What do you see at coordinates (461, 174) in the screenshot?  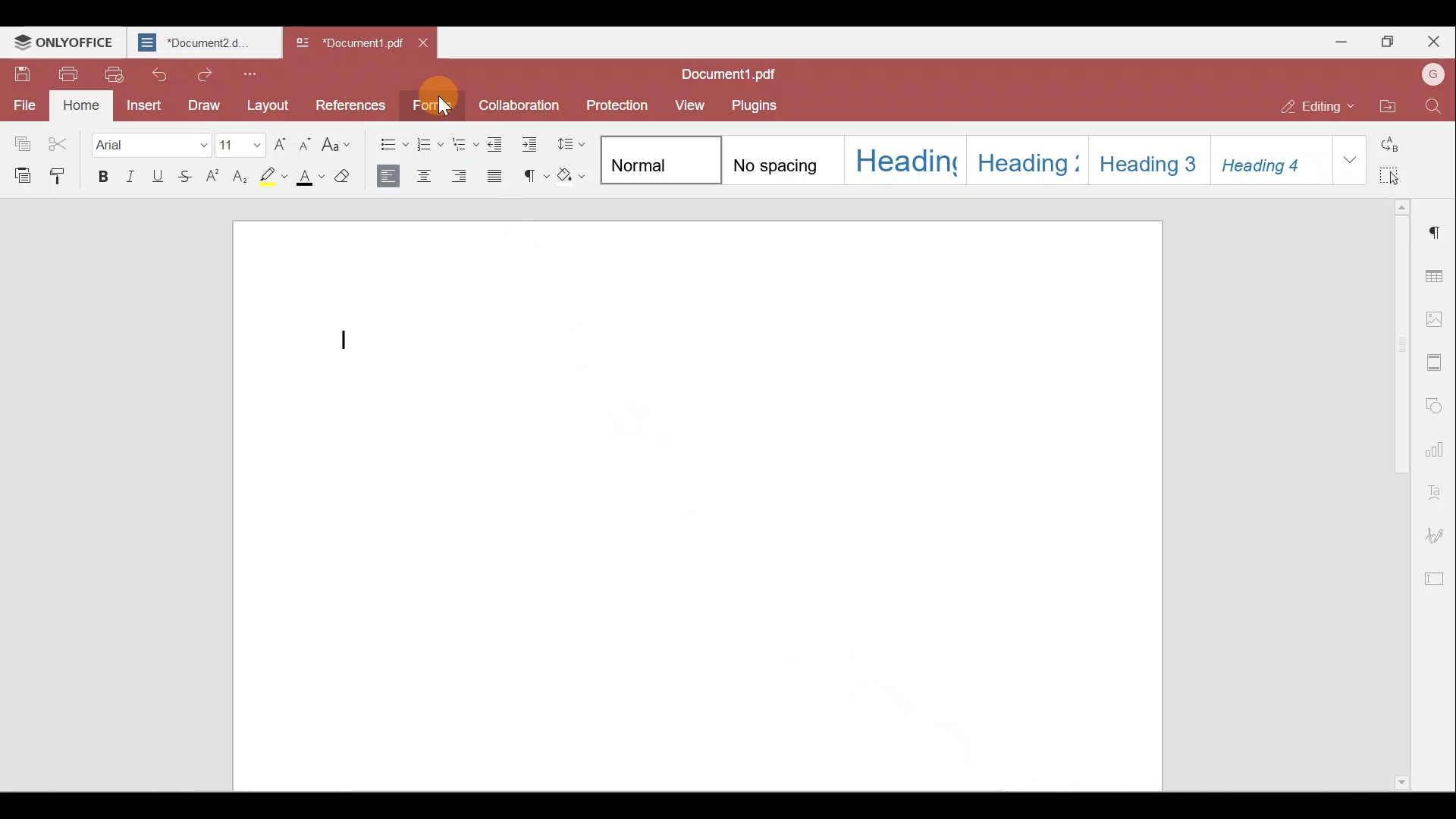 I see `Align right` at bounding box center [461, 174].